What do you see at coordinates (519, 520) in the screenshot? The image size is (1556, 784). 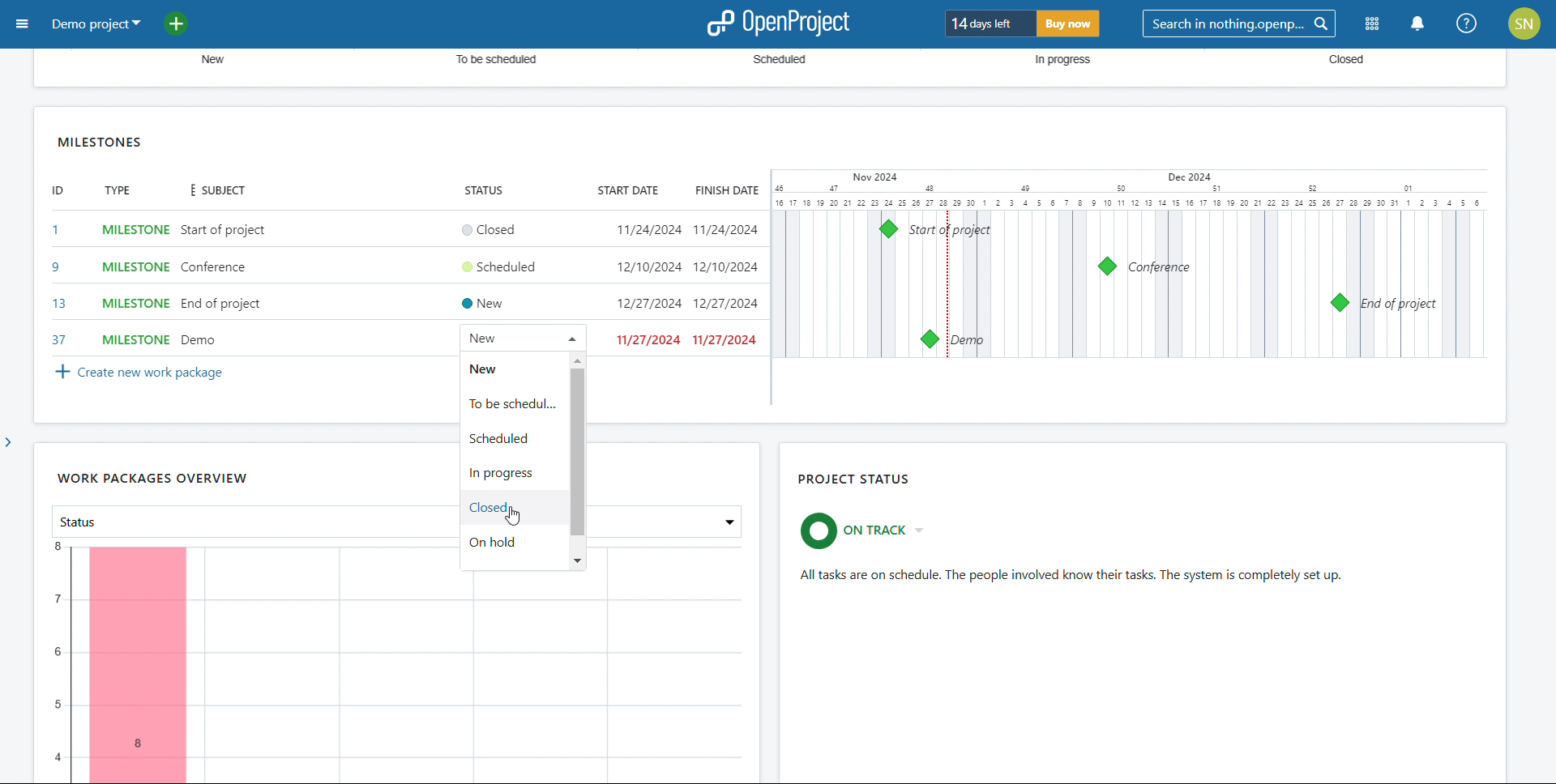 I see `cursor` at bounding box center [519, 520].